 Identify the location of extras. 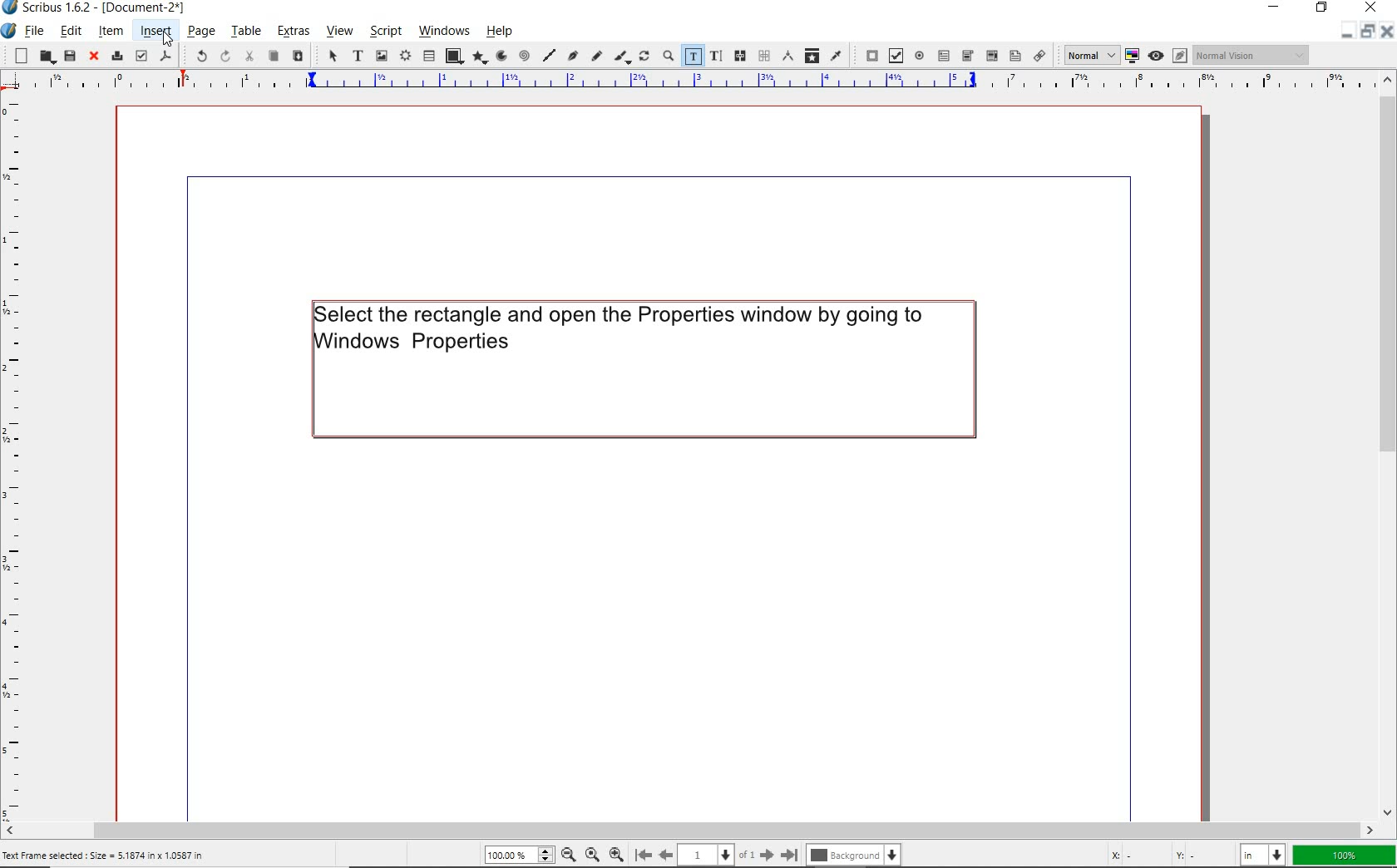
(296, 32).